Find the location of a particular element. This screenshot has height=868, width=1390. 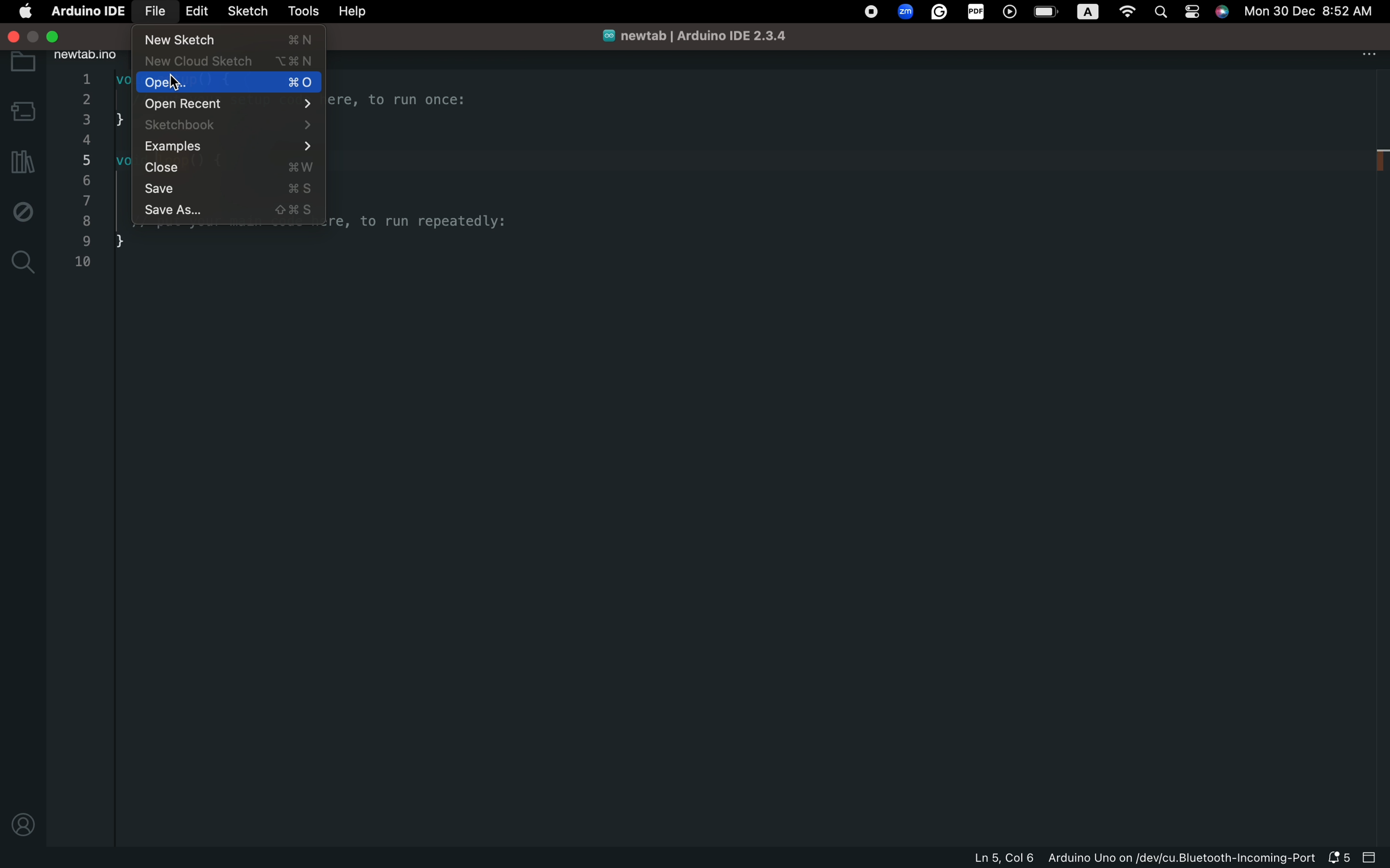

siri is located at coordinates (1225, 13).